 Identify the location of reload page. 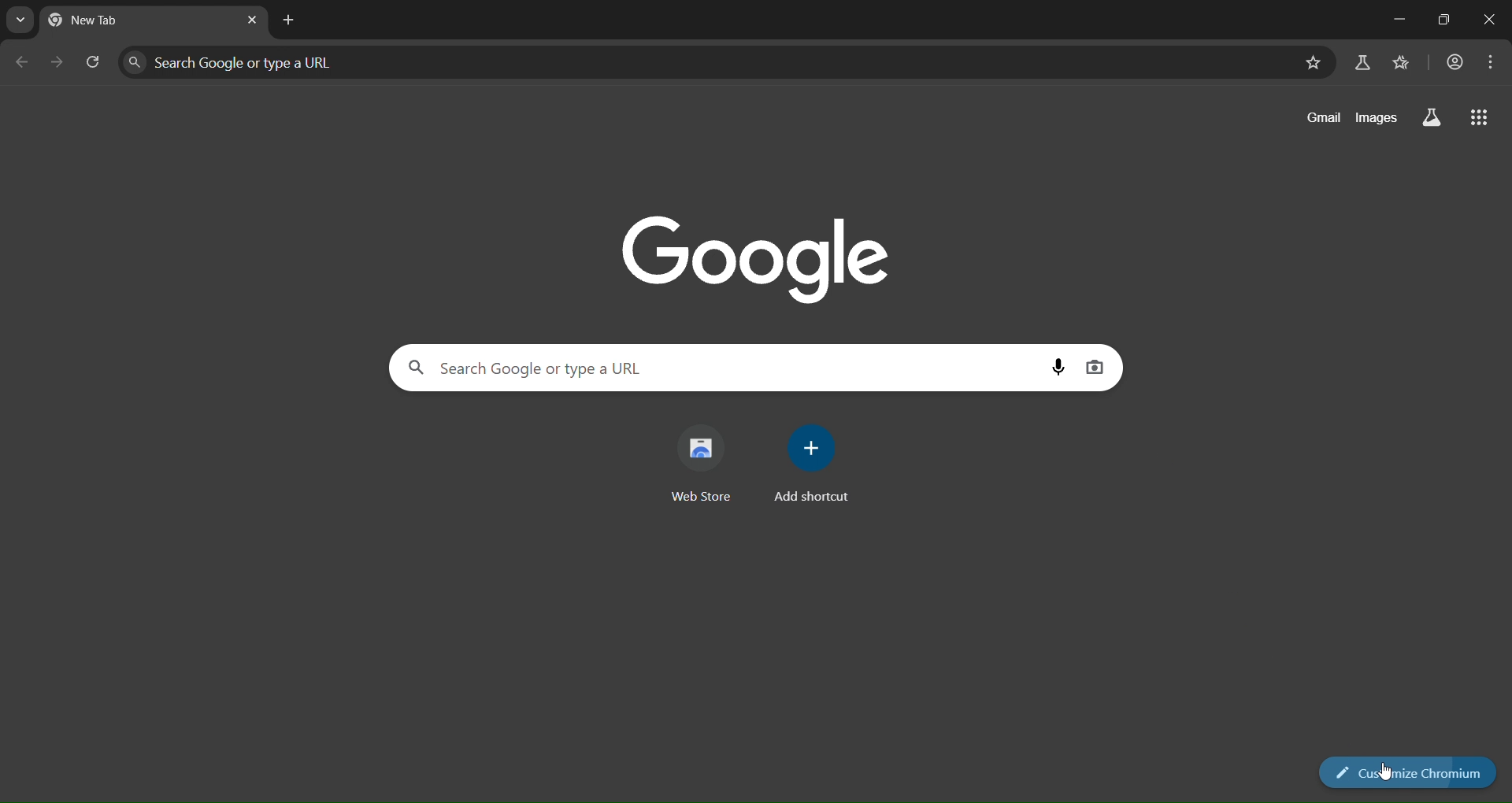
(94, 65).